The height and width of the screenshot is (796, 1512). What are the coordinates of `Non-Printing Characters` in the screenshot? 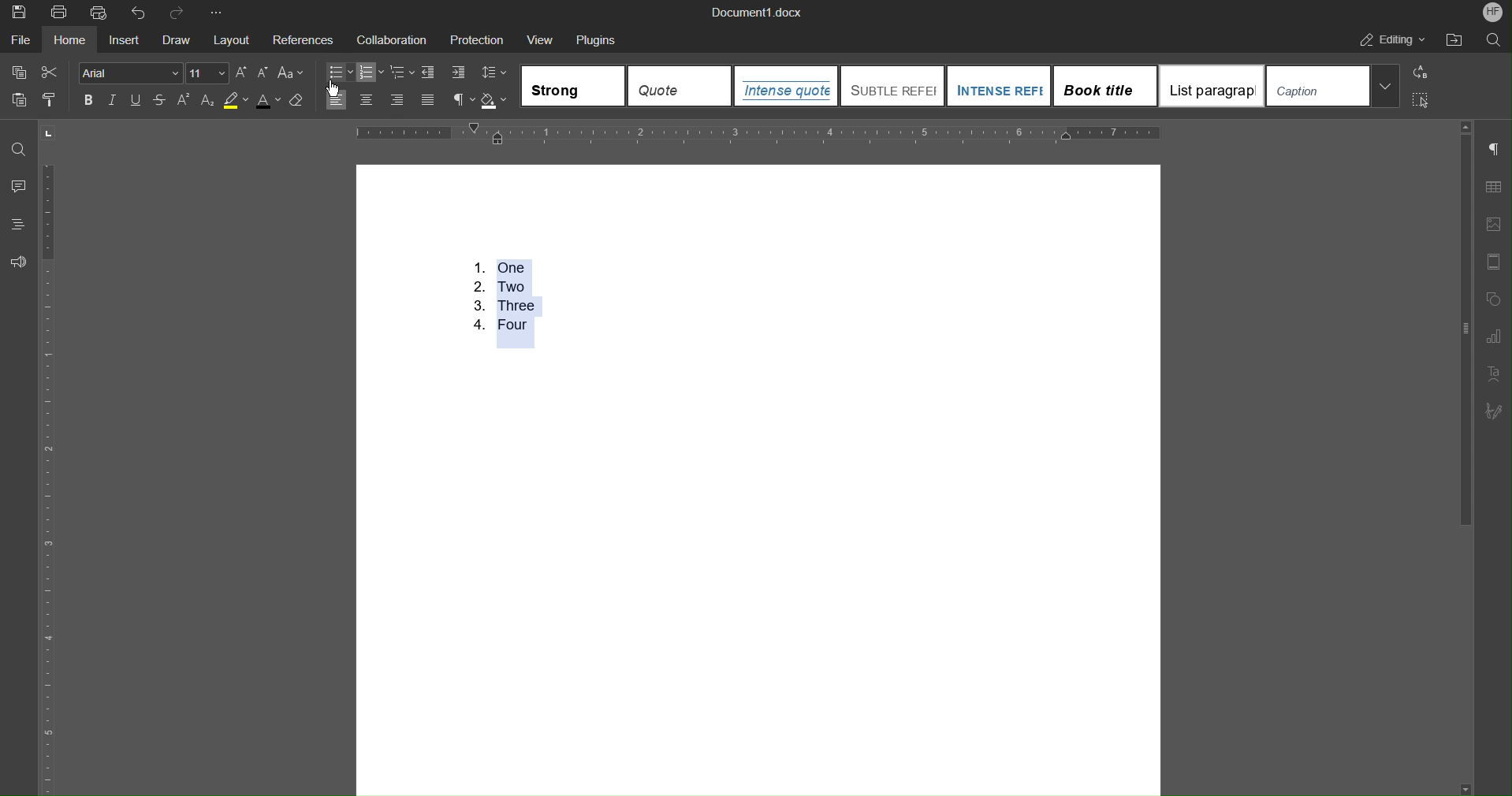 It's located at (1494, 151).